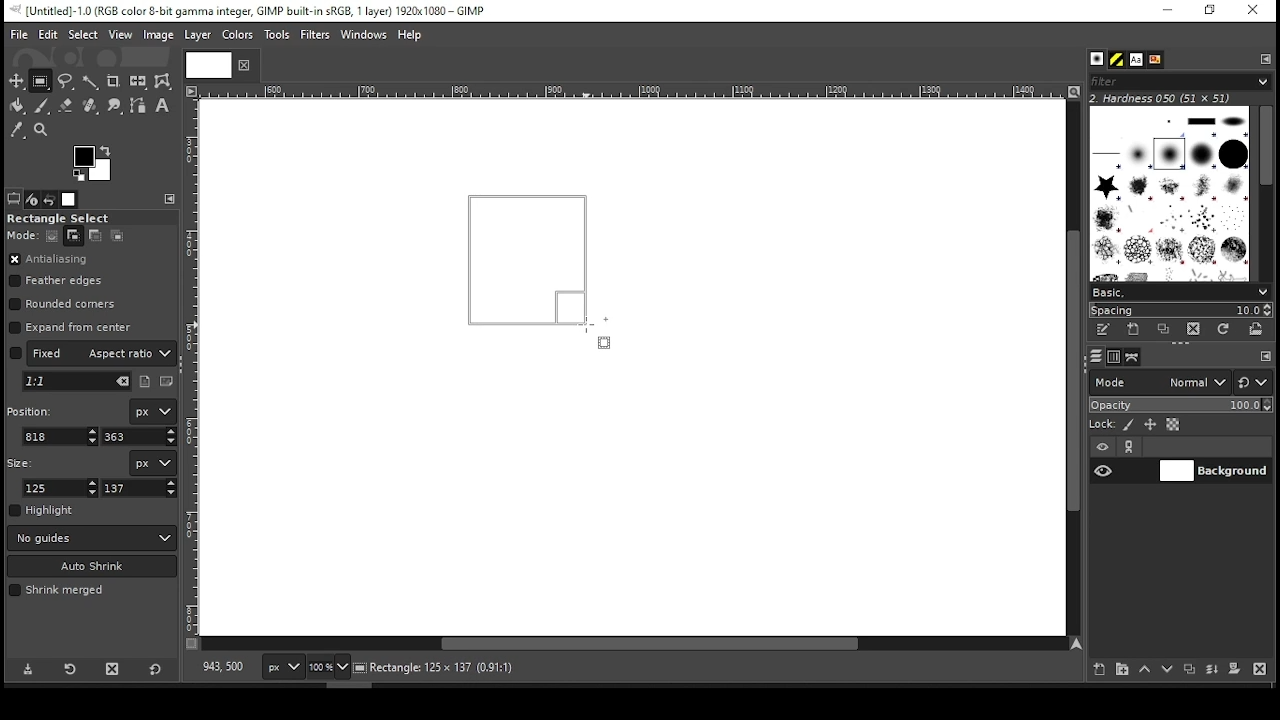 The height and width of the screenshot is (720, 1280). What do you see at coordinates (238, 34) in the screenshot?
I see `color` at bounding box center [238, 34].